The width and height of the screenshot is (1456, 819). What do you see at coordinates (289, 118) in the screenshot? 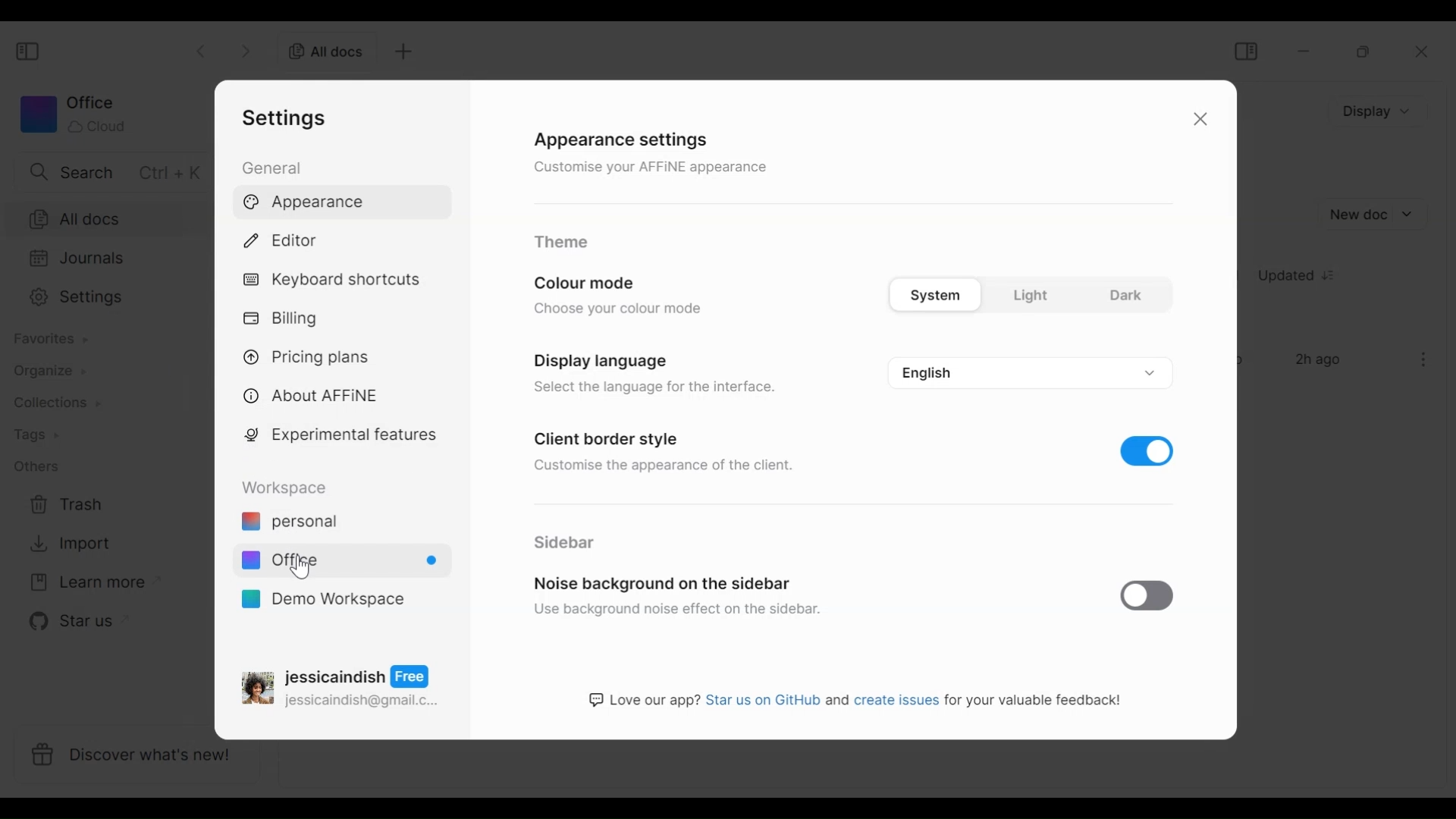
I see `Settings` at bounding box center [289, 118].